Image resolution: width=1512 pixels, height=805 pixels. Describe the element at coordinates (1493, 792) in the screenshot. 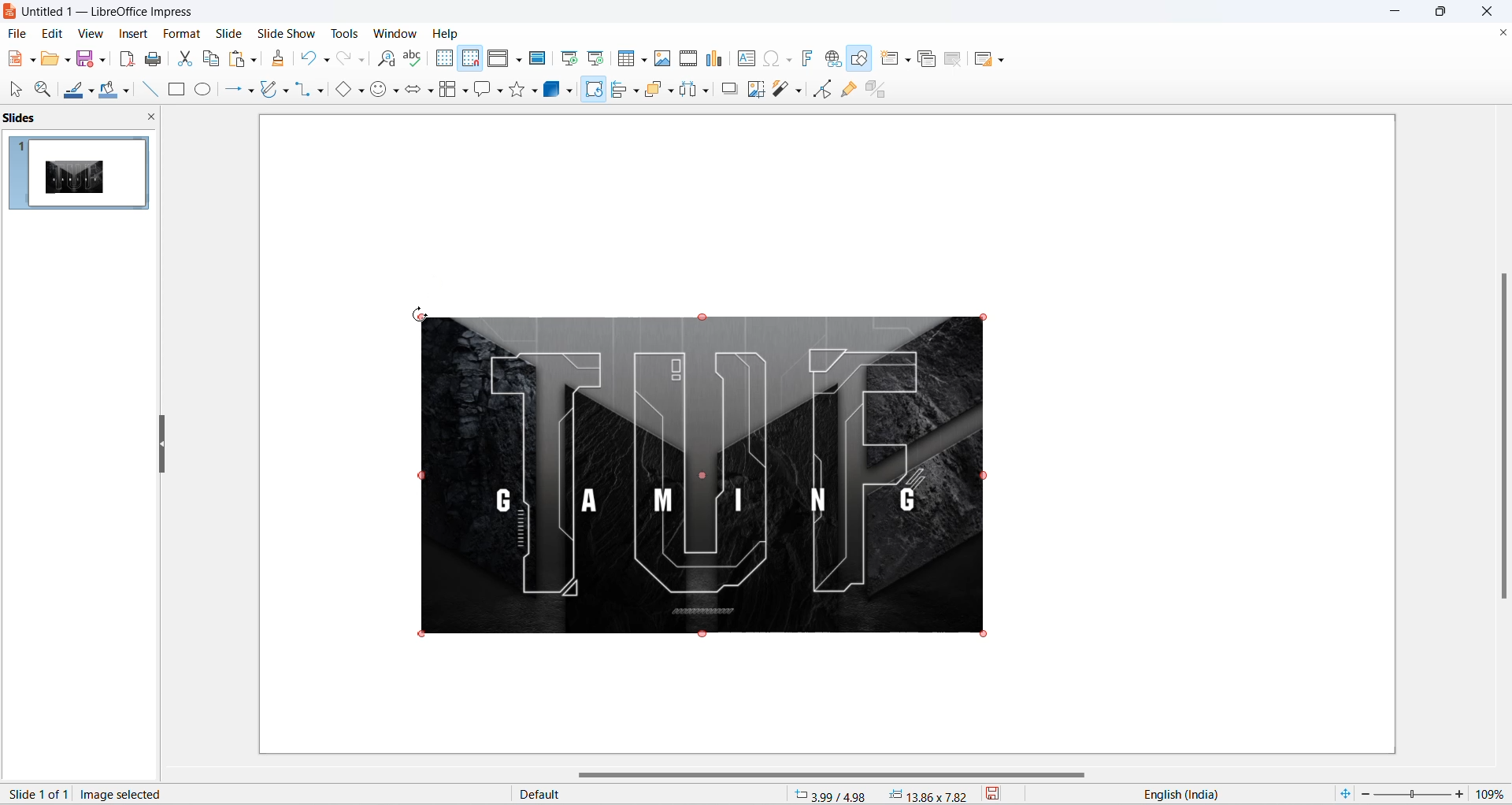

I see `zoom percentage` at that location.